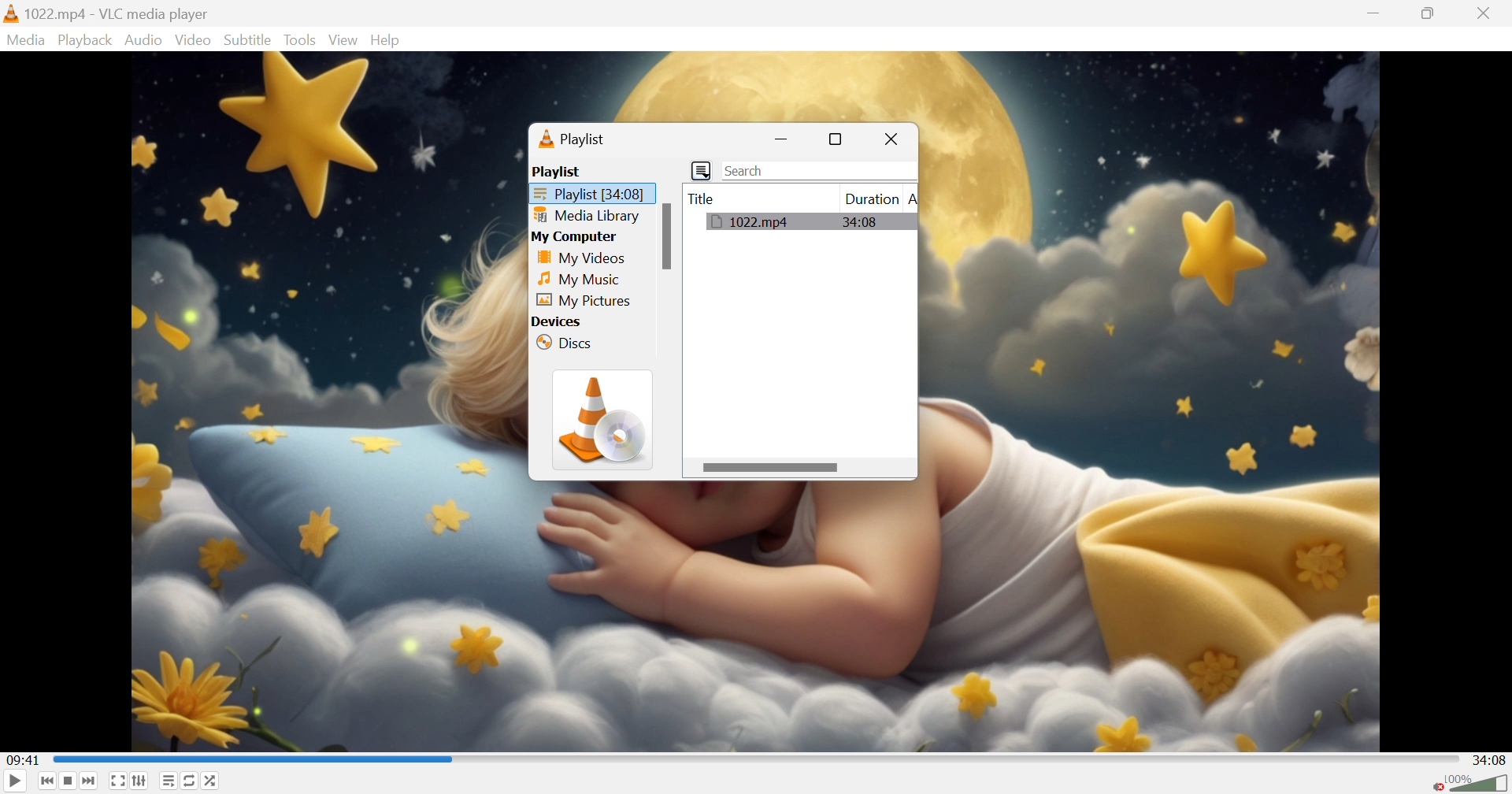 Image resolution: width=1512 pixels, height=794 pixels. Describe the element at coordinates (107, 11) in the screenshot. I see `1022.mp4 - VLC media player` at that location.